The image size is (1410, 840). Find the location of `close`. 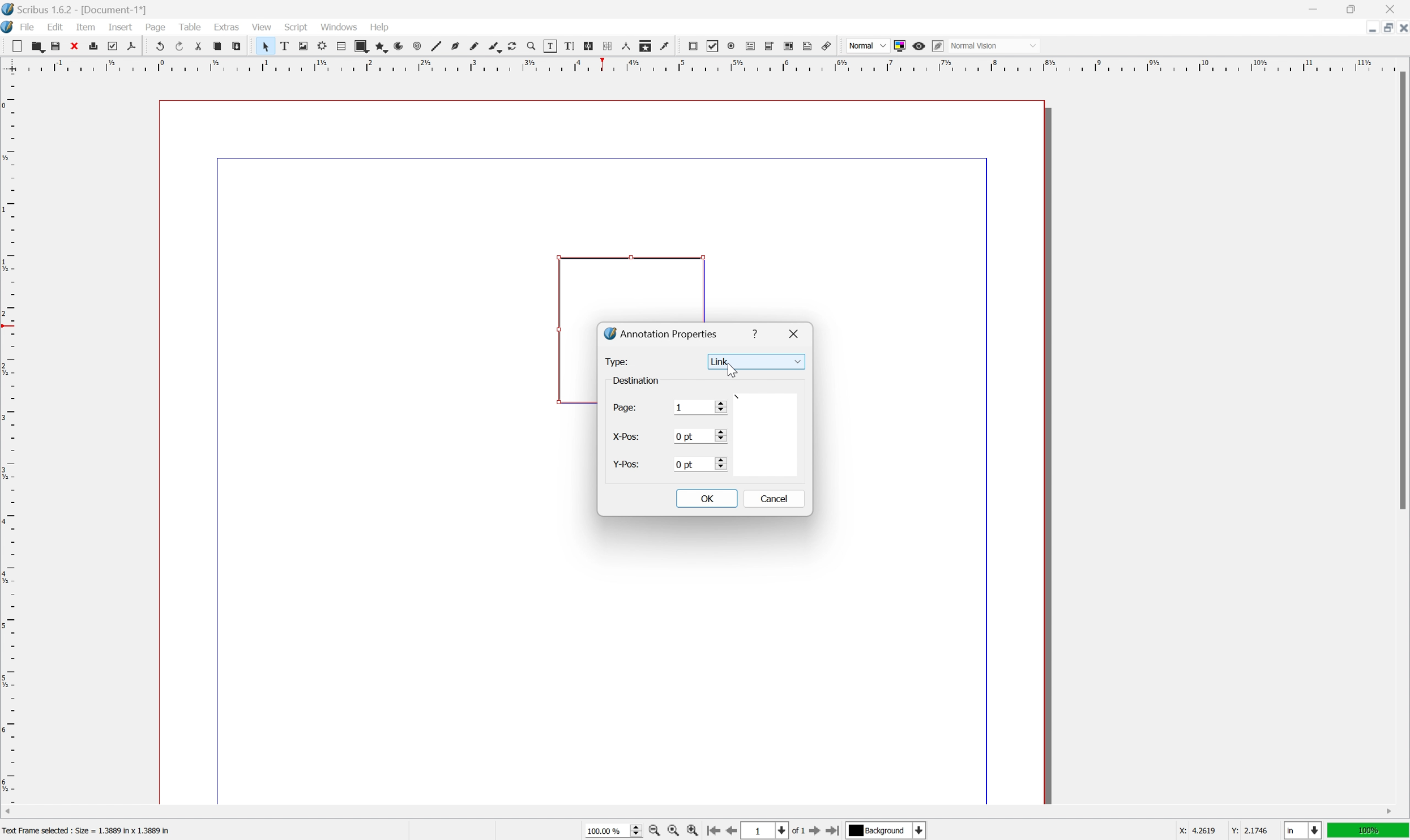

close is located at coordinates (796, 332).